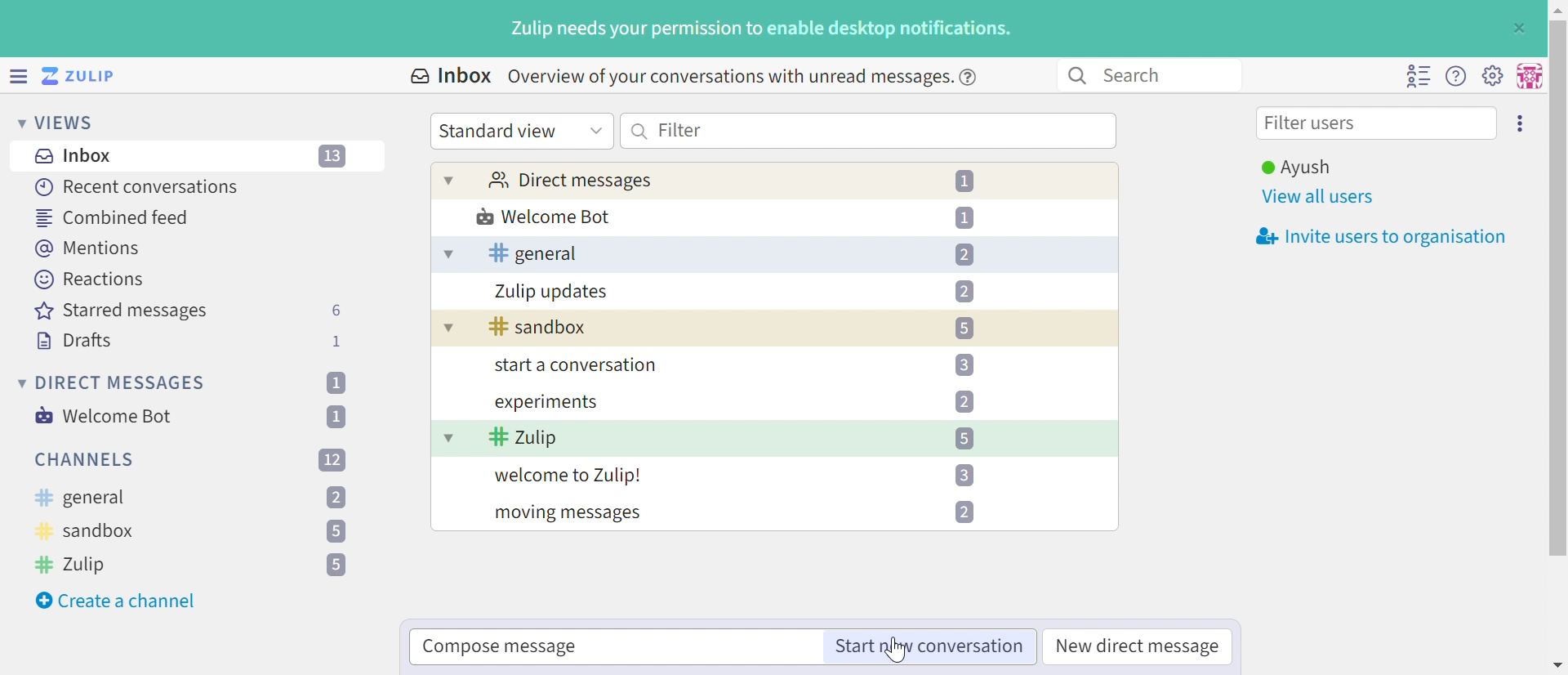  I want to click on 1, so click(340, 416).